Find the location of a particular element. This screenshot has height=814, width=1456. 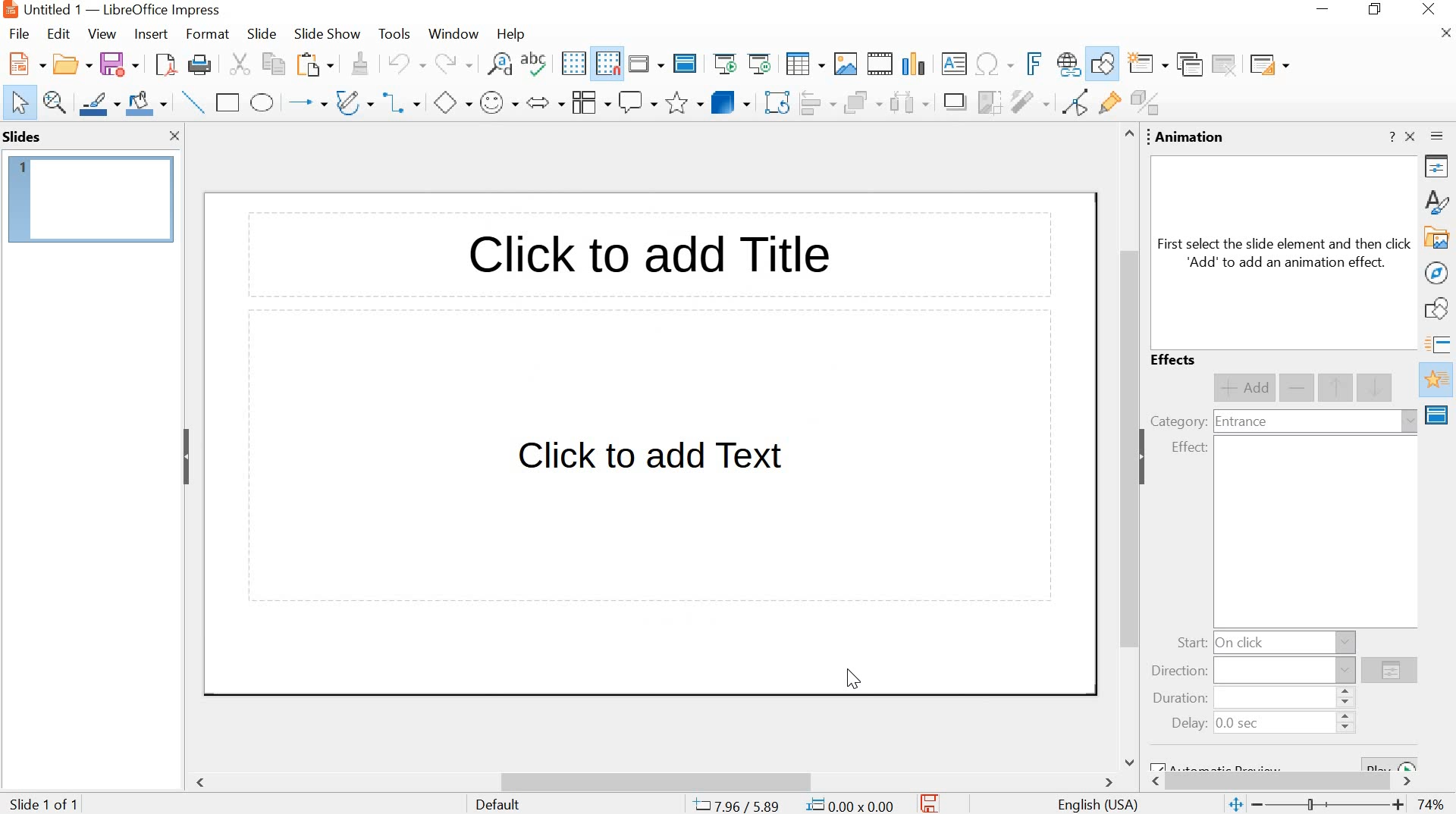

align objects is located at coordinates (817, 104).